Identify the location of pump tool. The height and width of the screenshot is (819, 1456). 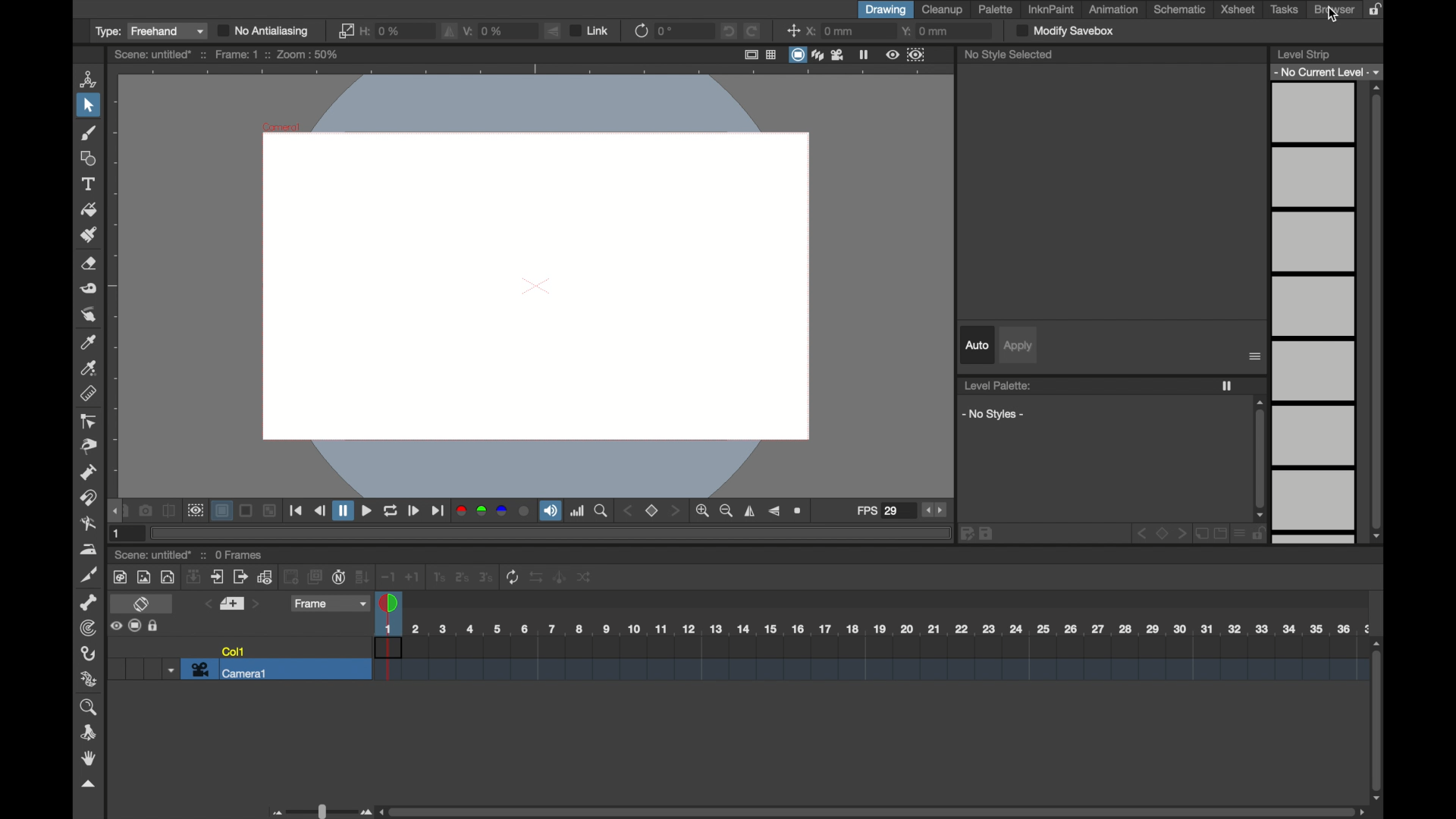
(89, 473).